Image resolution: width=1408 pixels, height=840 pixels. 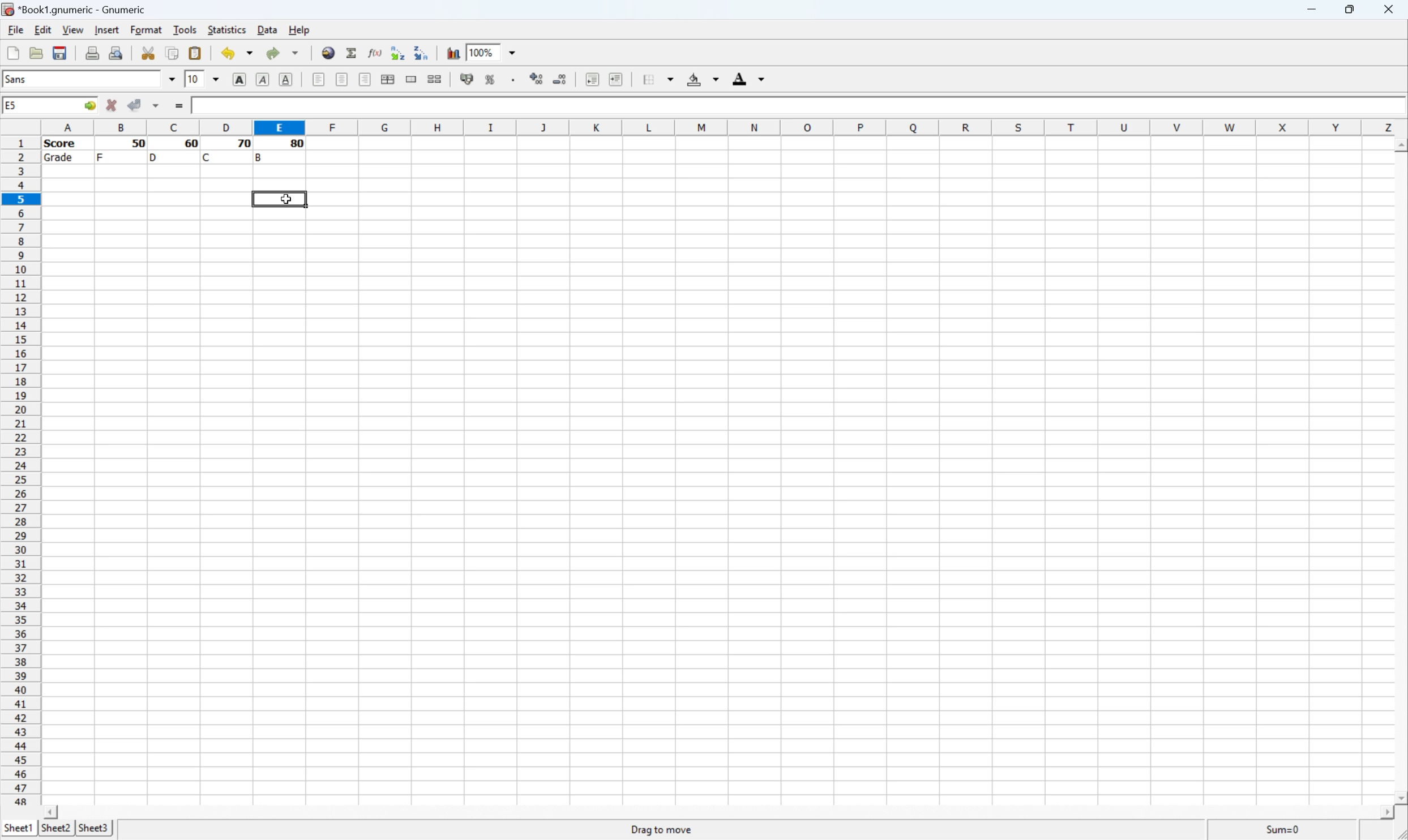 What do you see at coordinates (211, 78) in the screenshot?
I see `Drop Down` at bounding box center [211, 78].